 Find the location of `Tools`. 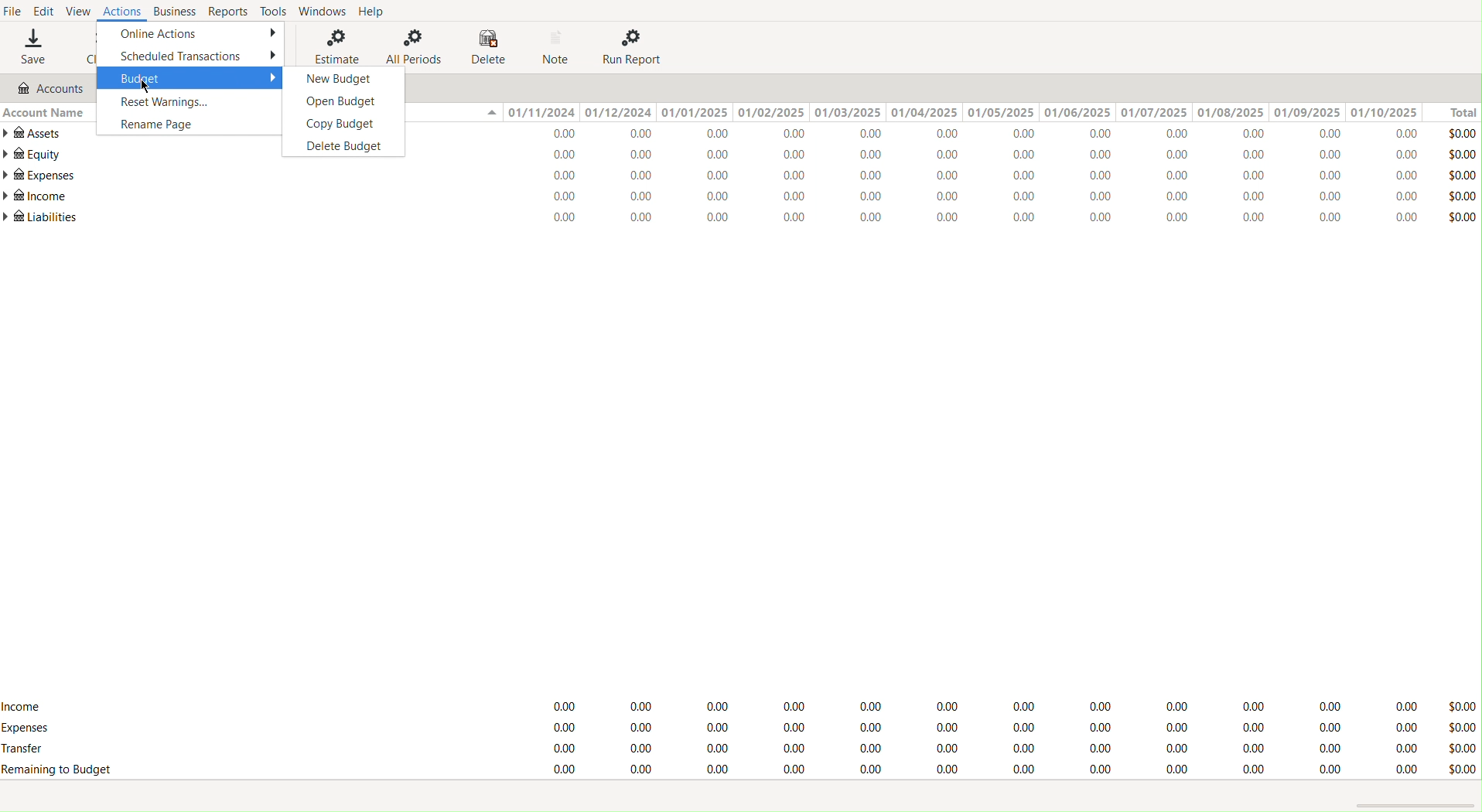

Tools is located at coordinates (271, 12).